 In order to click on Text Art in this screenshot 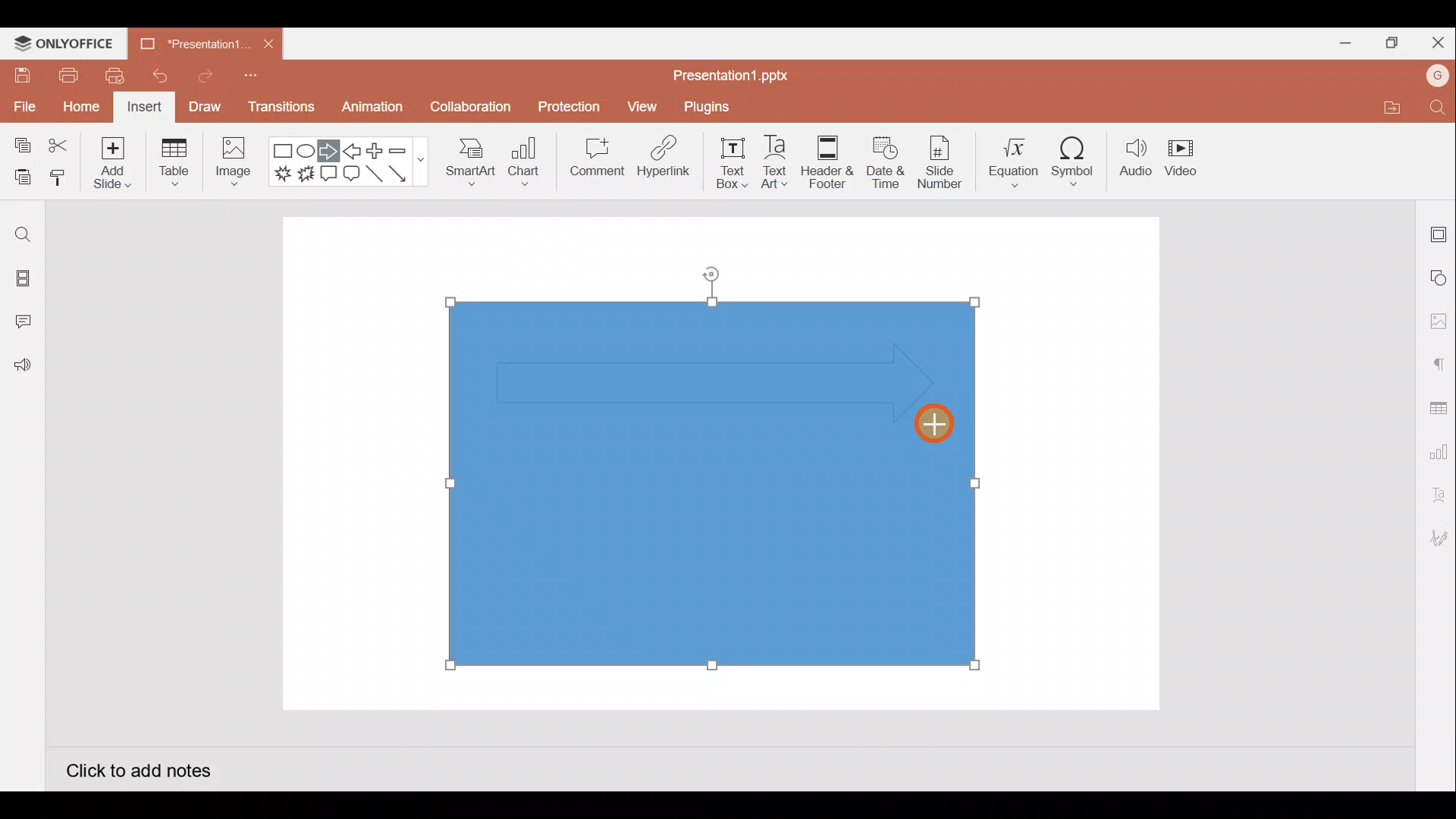, I will do `click(781, 158)`.